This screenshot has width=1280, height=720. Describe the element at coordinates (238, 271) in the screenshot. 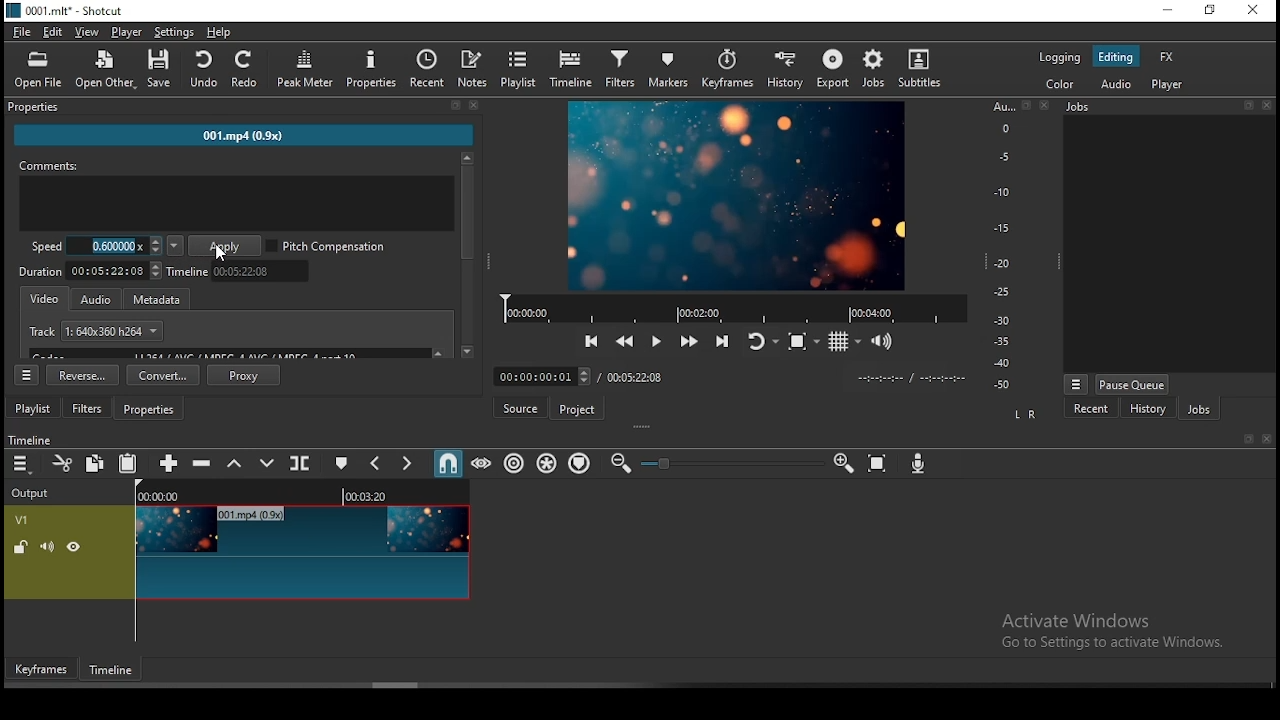

I see `timeline` at that location.